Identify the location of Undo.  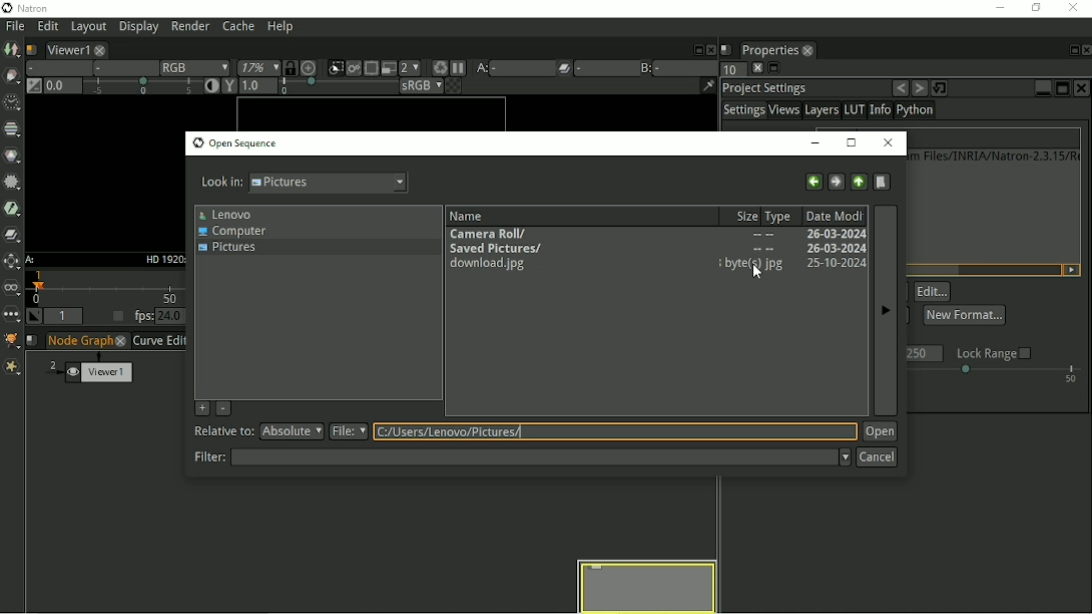
(900, 88).